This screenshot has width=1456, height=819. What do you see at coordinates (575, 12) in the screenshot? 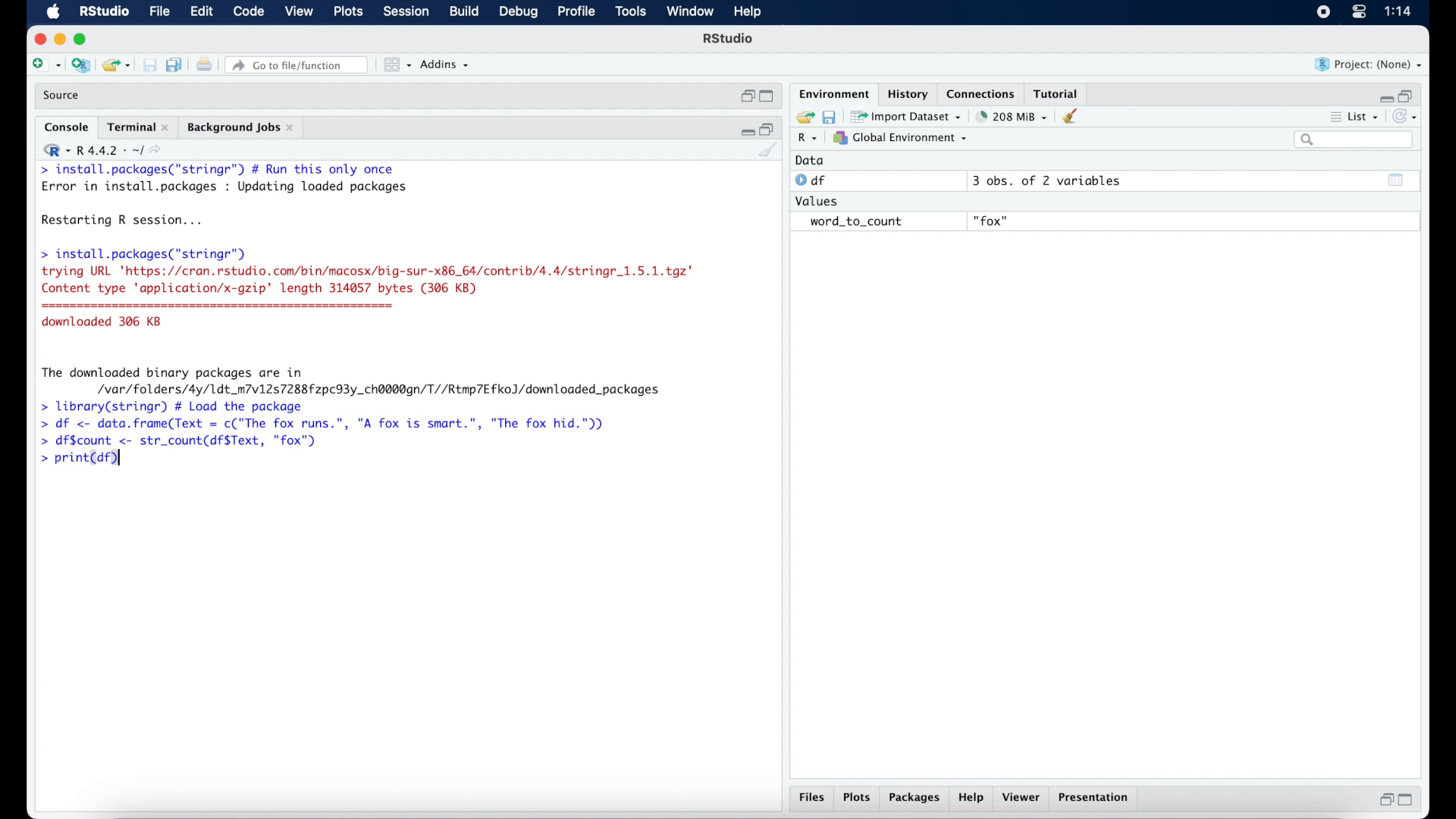
I see `profile` at bounding box center [575, 12].